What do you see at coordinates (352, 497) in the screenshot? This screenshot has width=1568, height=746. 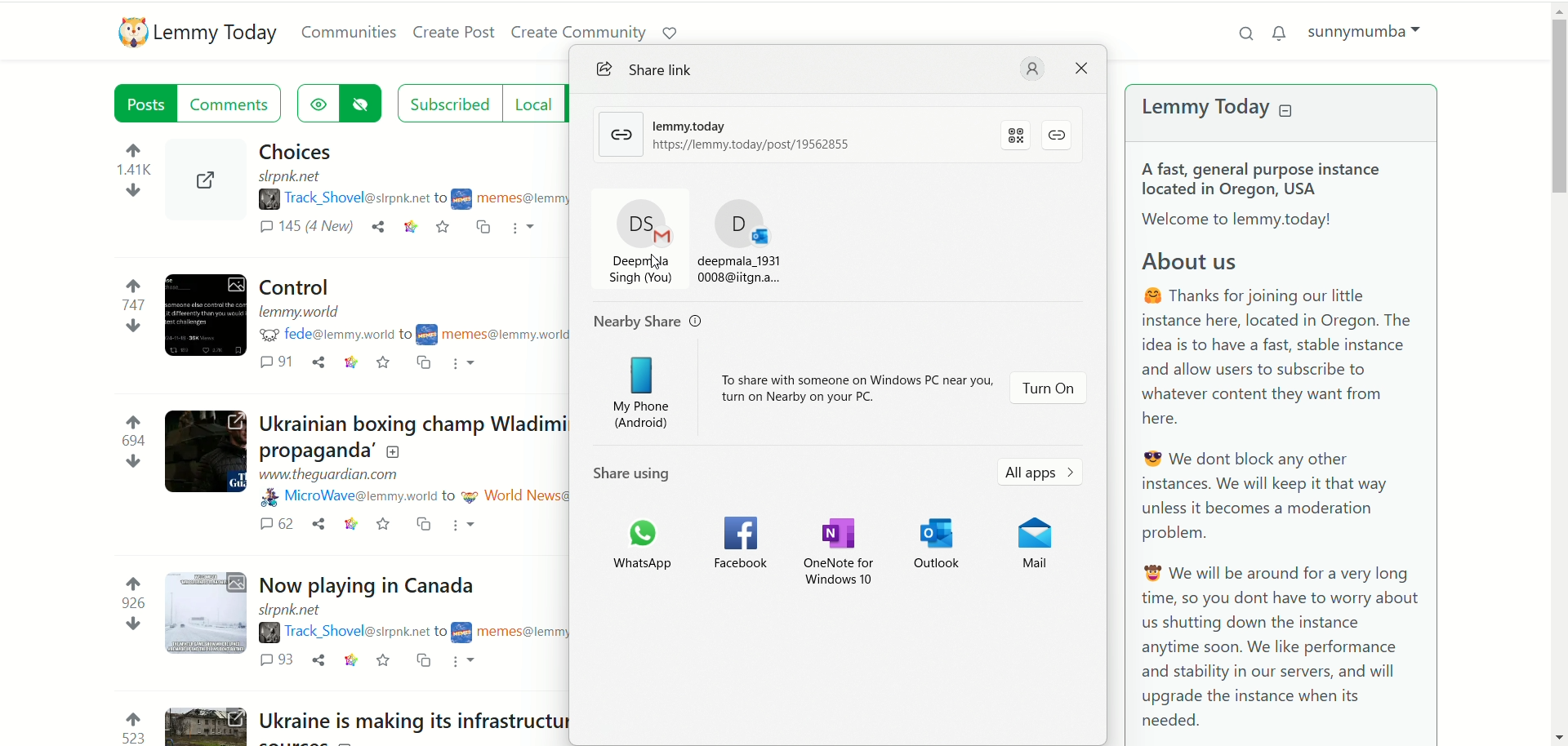 I see `username` at bounding box center [352, 497].